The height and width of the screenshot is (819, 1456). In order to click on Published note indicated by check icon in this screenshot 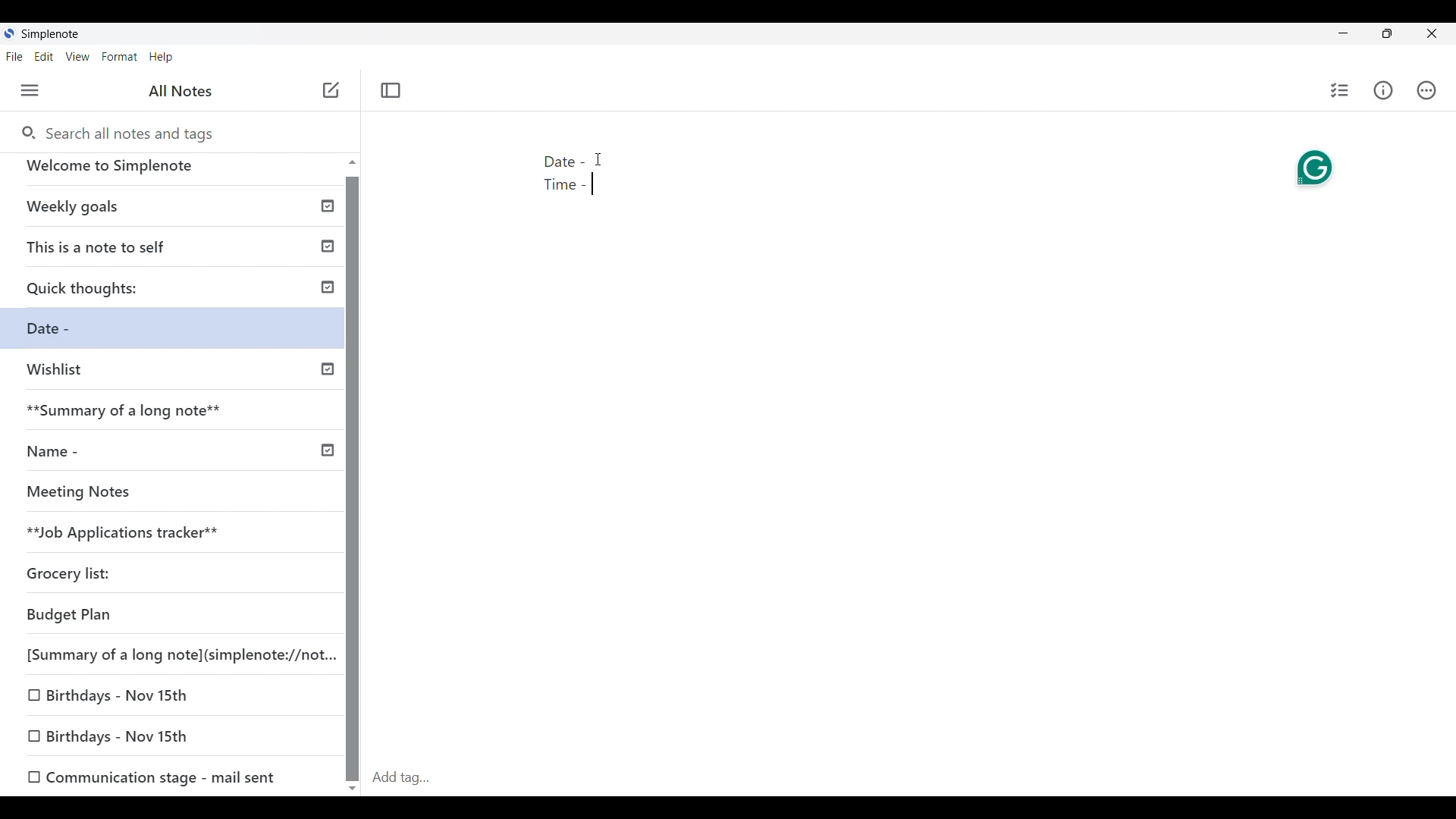, I will do `click(177, 293)`.